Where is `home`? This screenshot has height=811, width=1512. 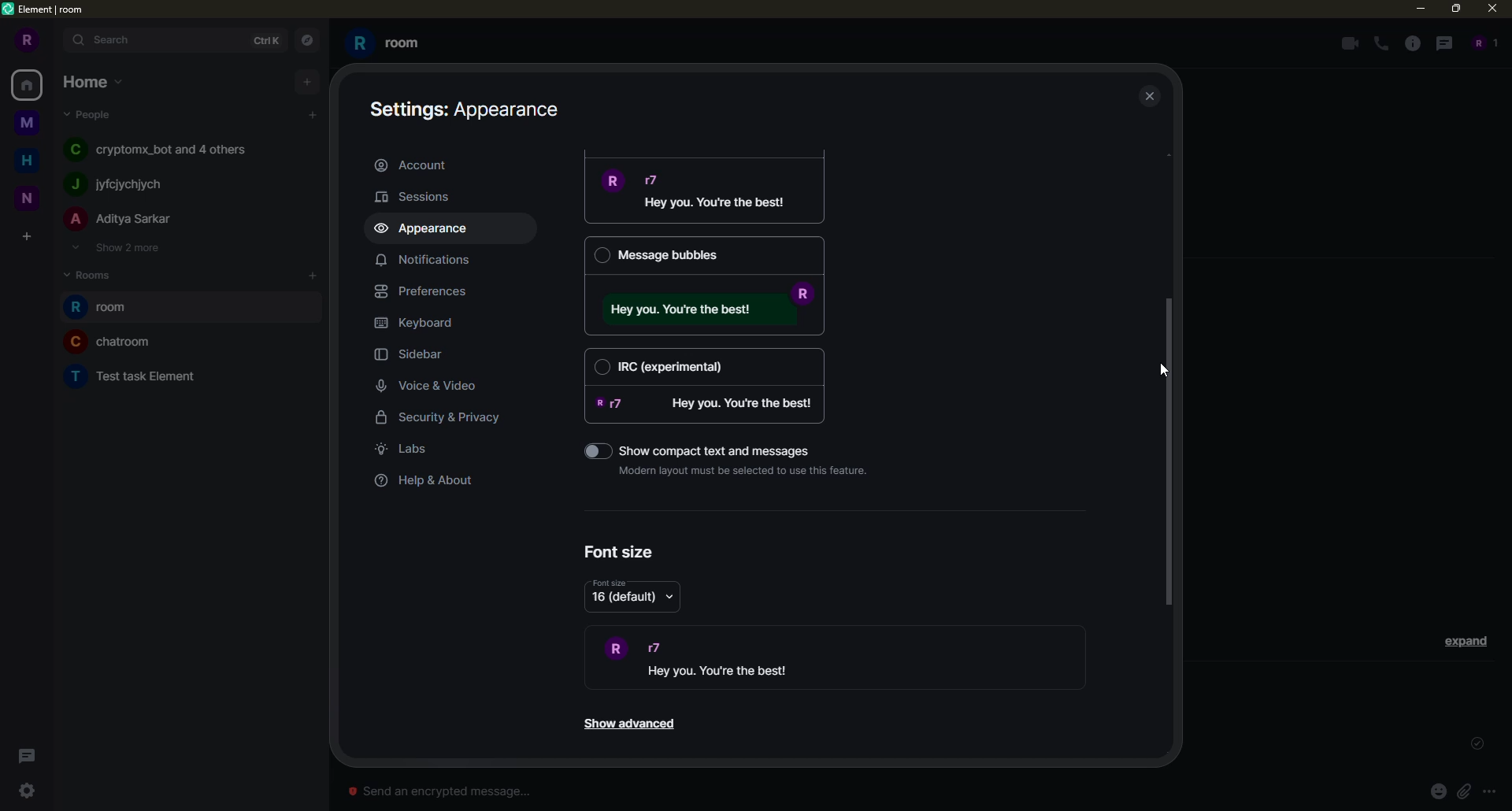 home is located at coordinates (30, 84).